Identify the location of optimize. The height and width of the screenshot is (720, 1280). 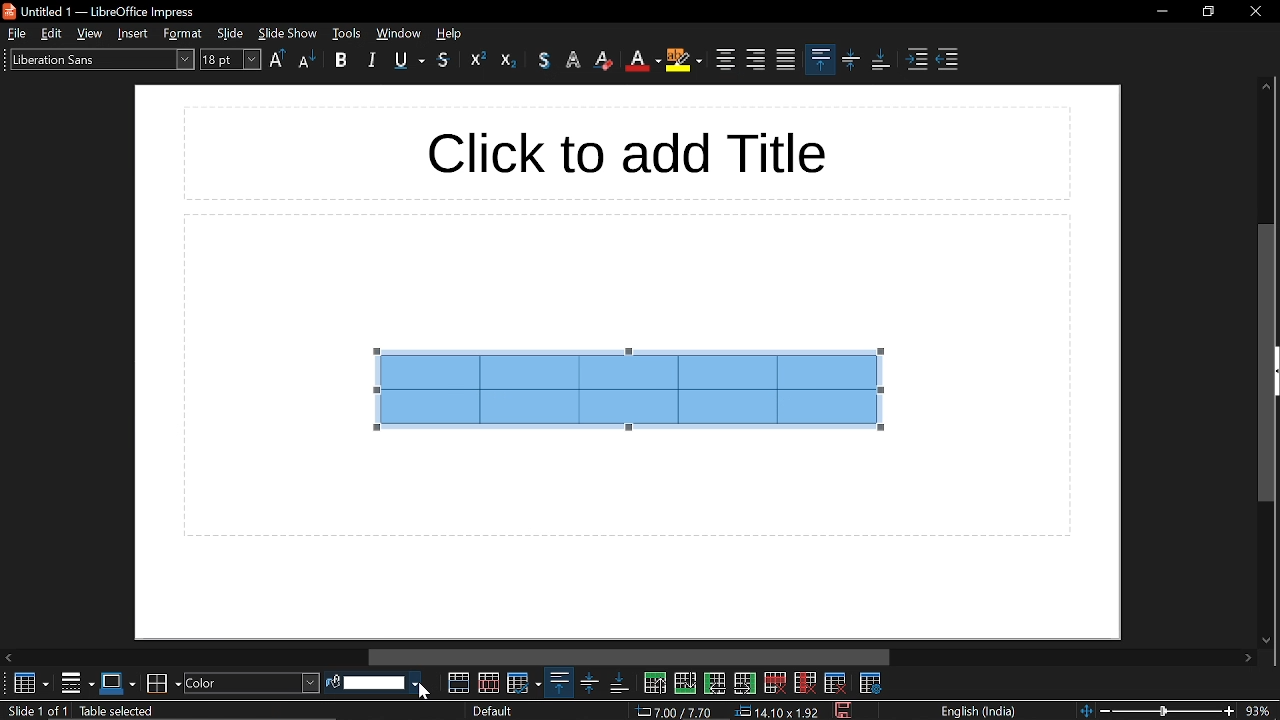
(525, 682).